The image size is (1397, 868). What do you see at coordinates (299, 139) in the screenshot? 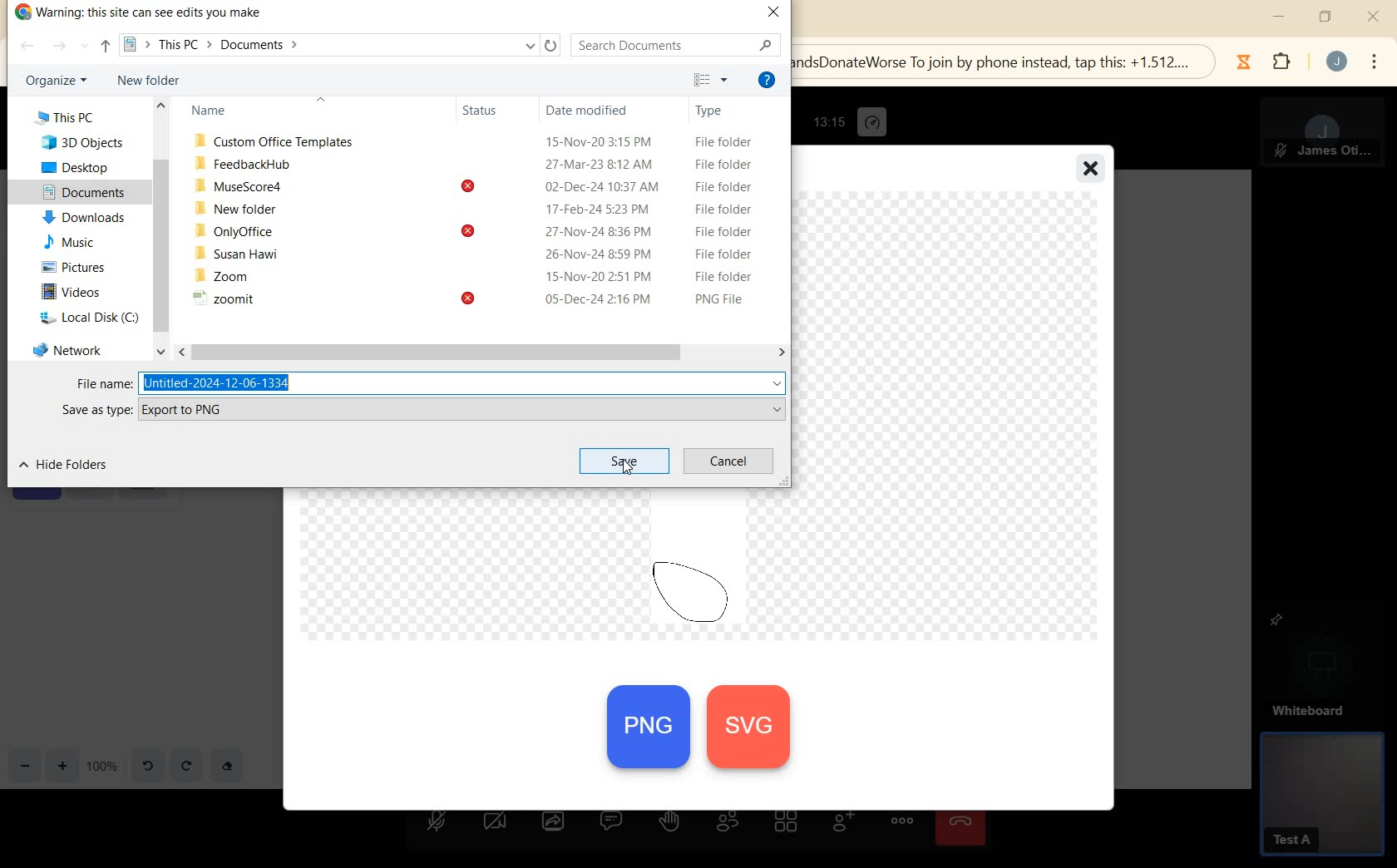
I see `Custom Office Templates 15-Nov-20 3:15 PM File folder` at bounding box center [299, 139].